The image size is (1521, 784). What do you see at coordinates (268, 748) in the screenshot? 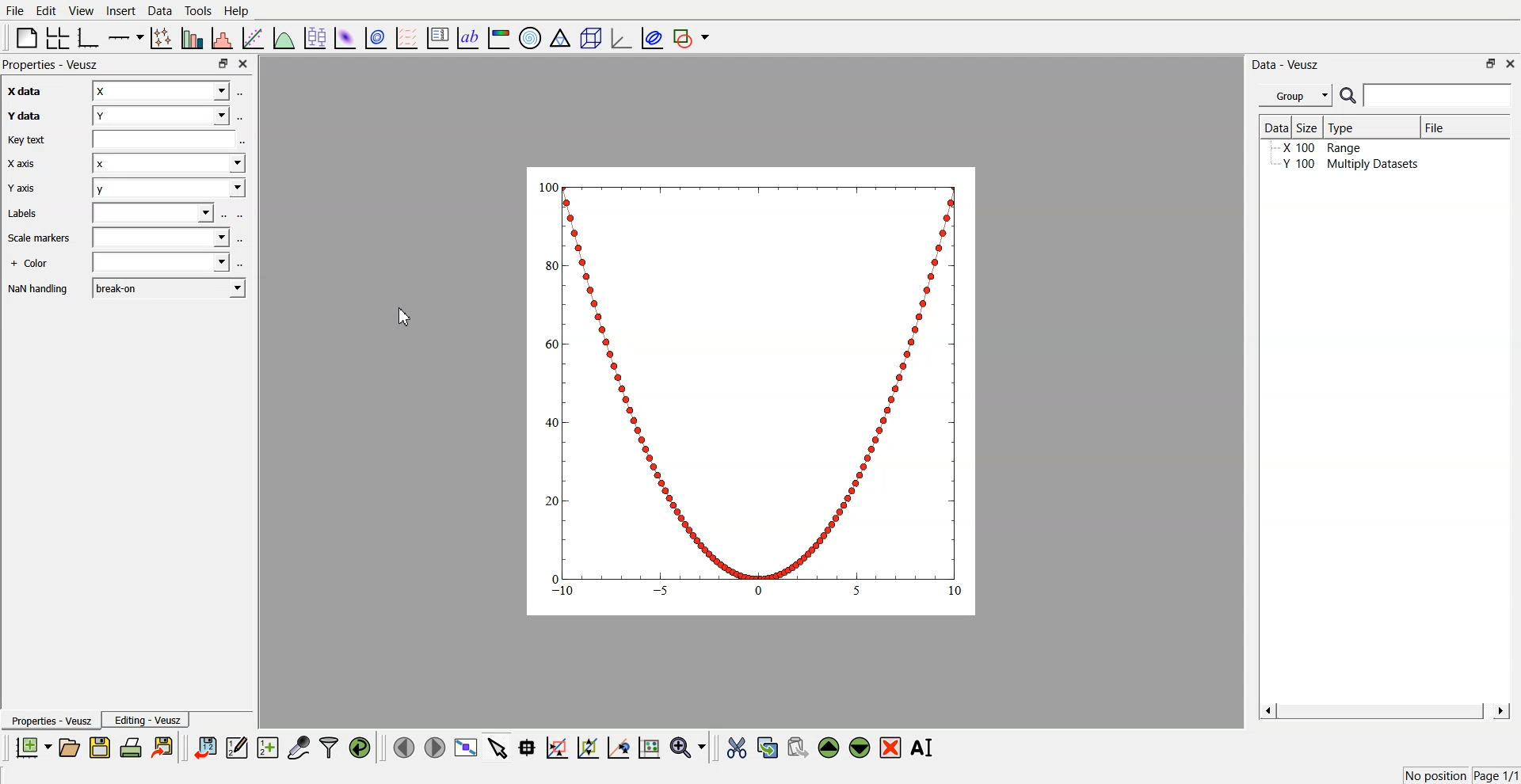
I see `create new datasets` at bounding box center [268, 748].